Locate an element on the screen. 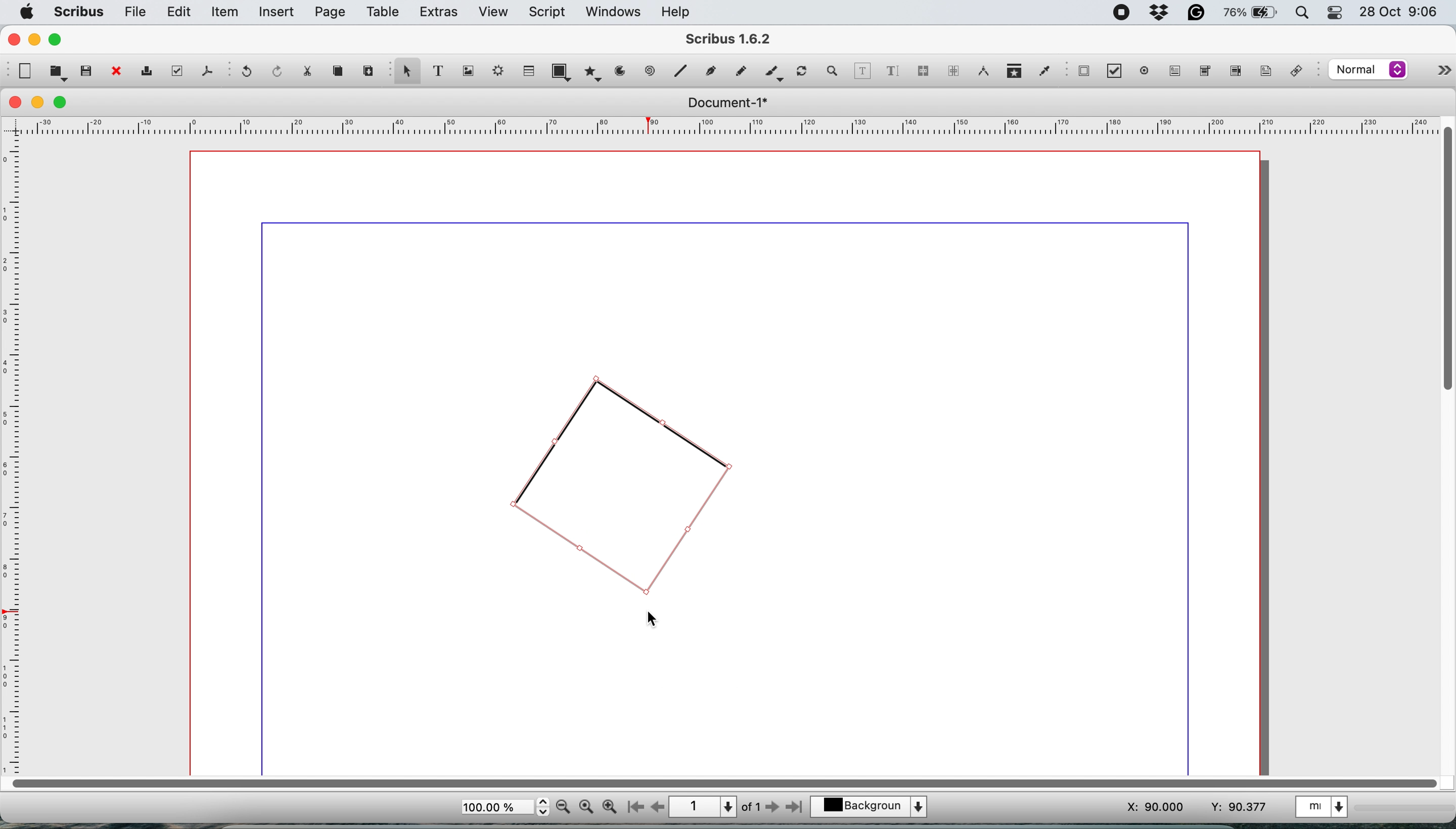 The image size is (1456, 829). pdf push button is located at coordinates (1084, 72).